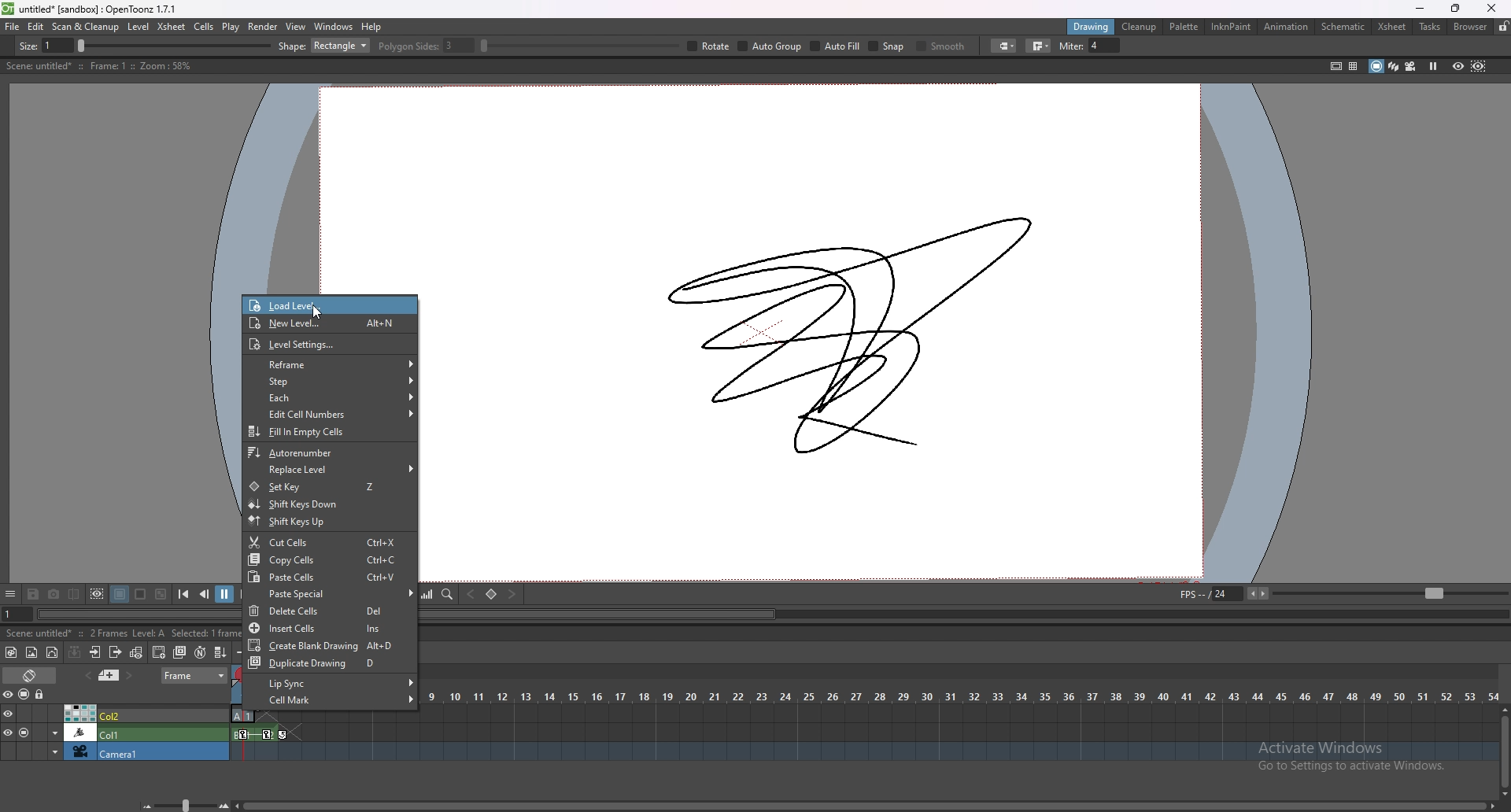 This screenshot has width=1511, height=812. What do you see at coordinates (371, 27) in the screenshot?
I see `help` at bounding box center [371, 27].